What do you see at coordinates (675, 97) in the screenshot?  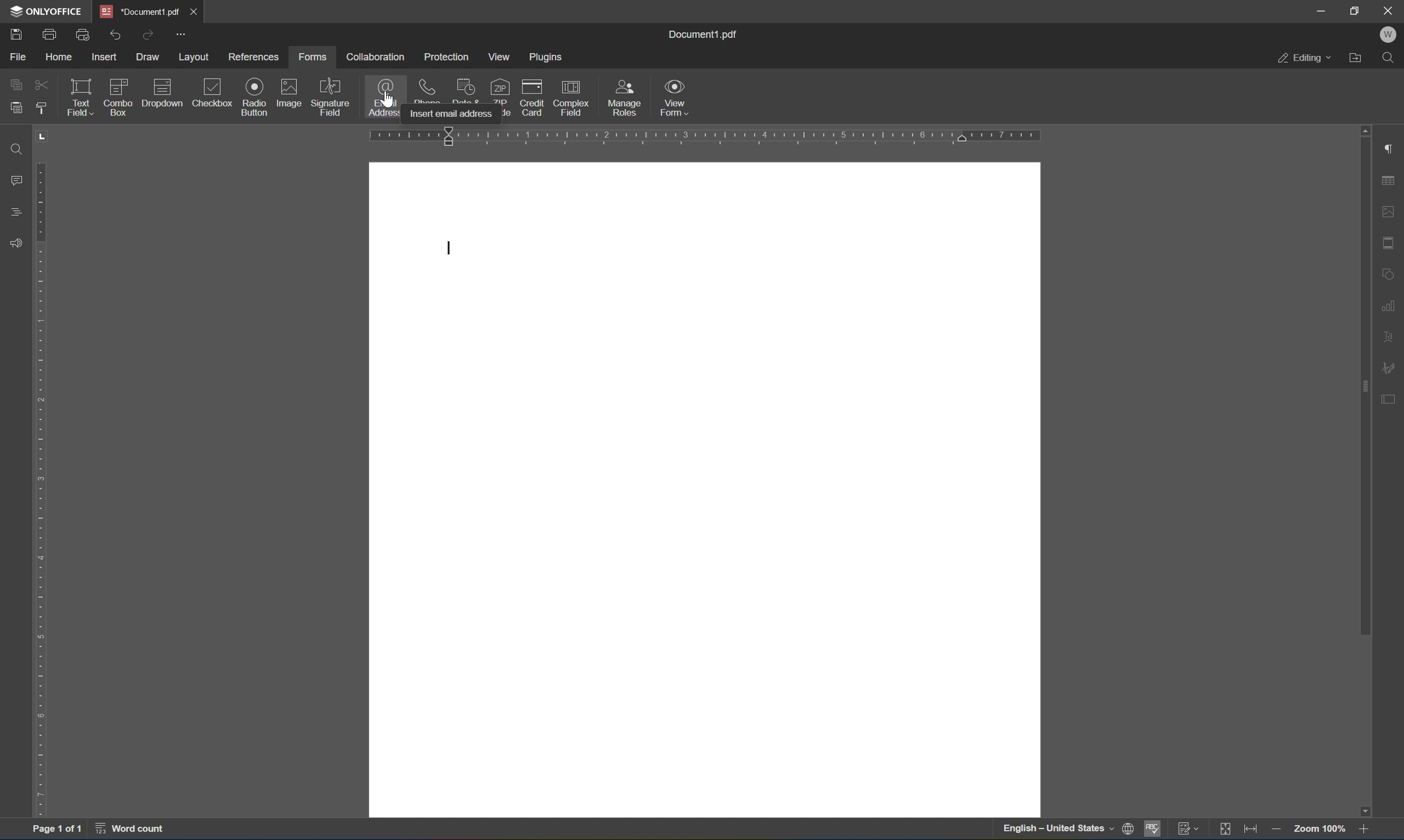 I see `view form` at bounding box center [675, 97].